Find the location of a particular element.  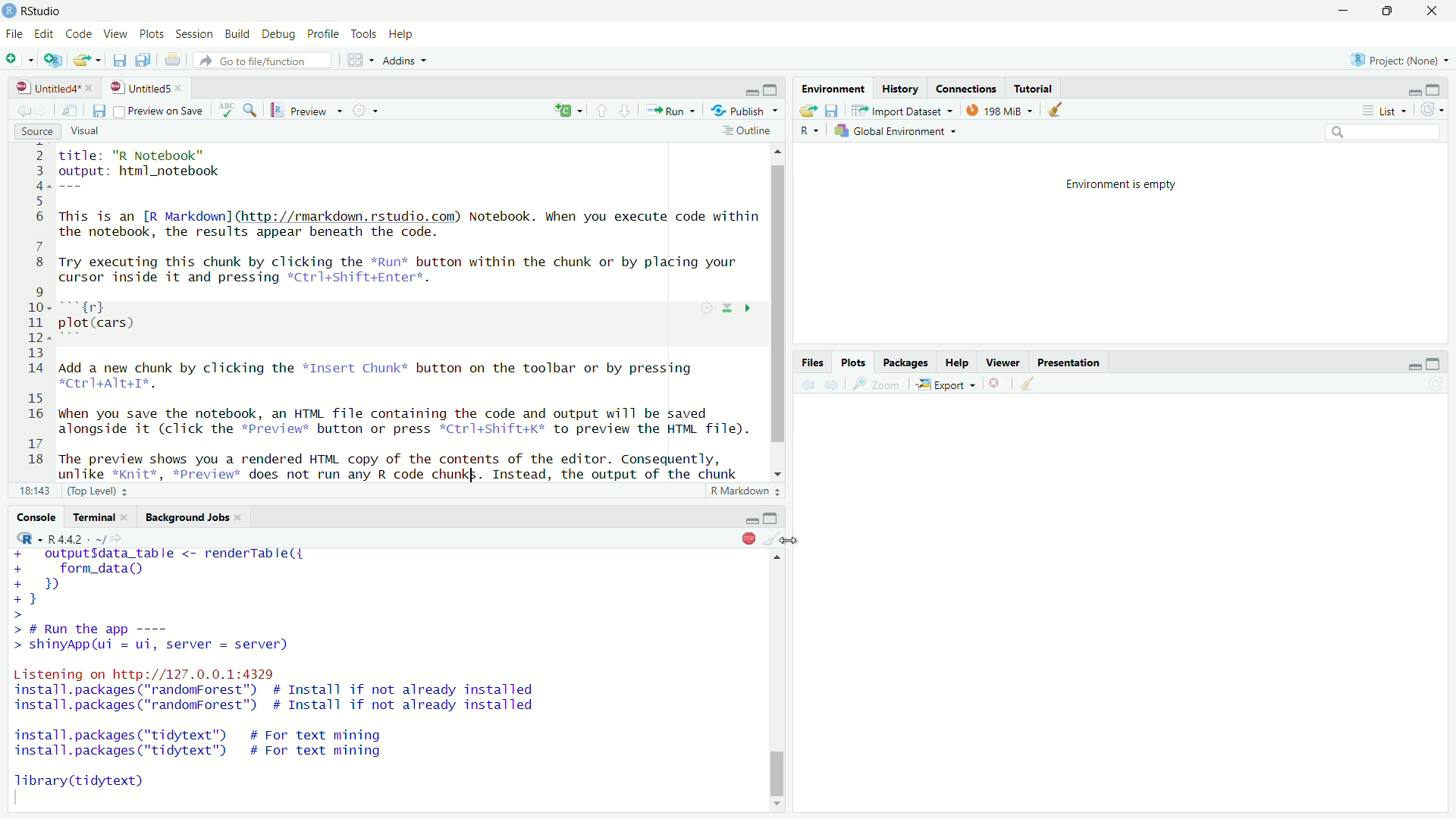

Go to file/function is located at coordinates (266, 61).